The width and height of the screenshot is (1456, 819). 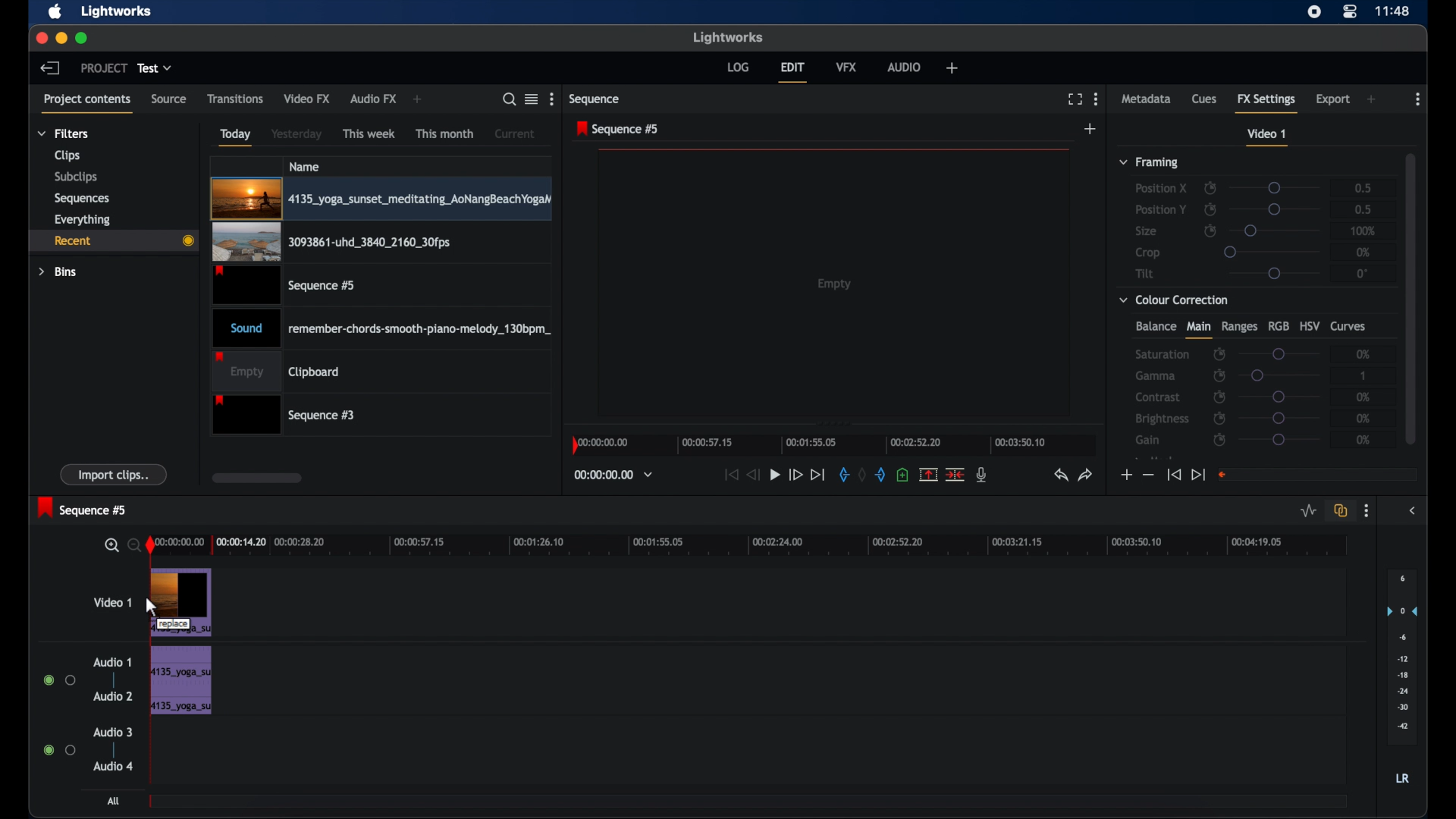 I want to click on slider, so click(x=1279, y=440).